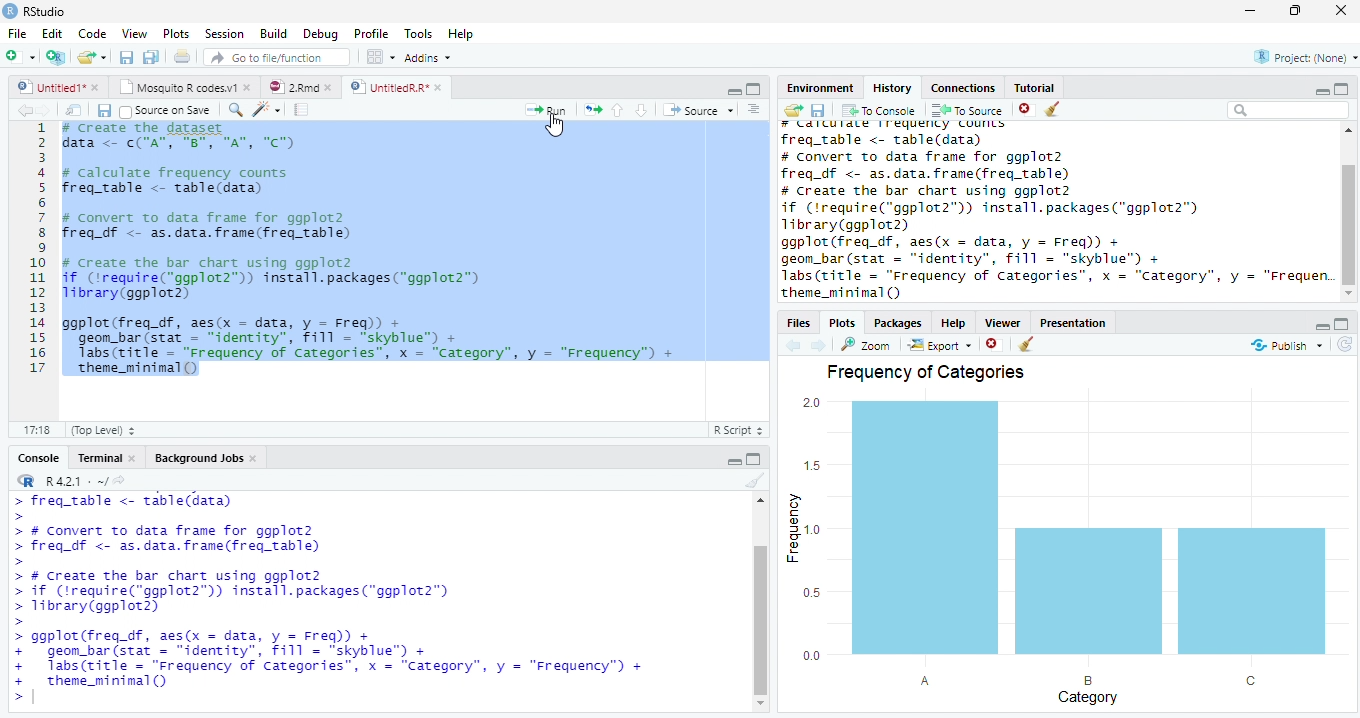  Describe the element at coordinates (1345, 344) in the screenshot. I see `Revert` at that location.